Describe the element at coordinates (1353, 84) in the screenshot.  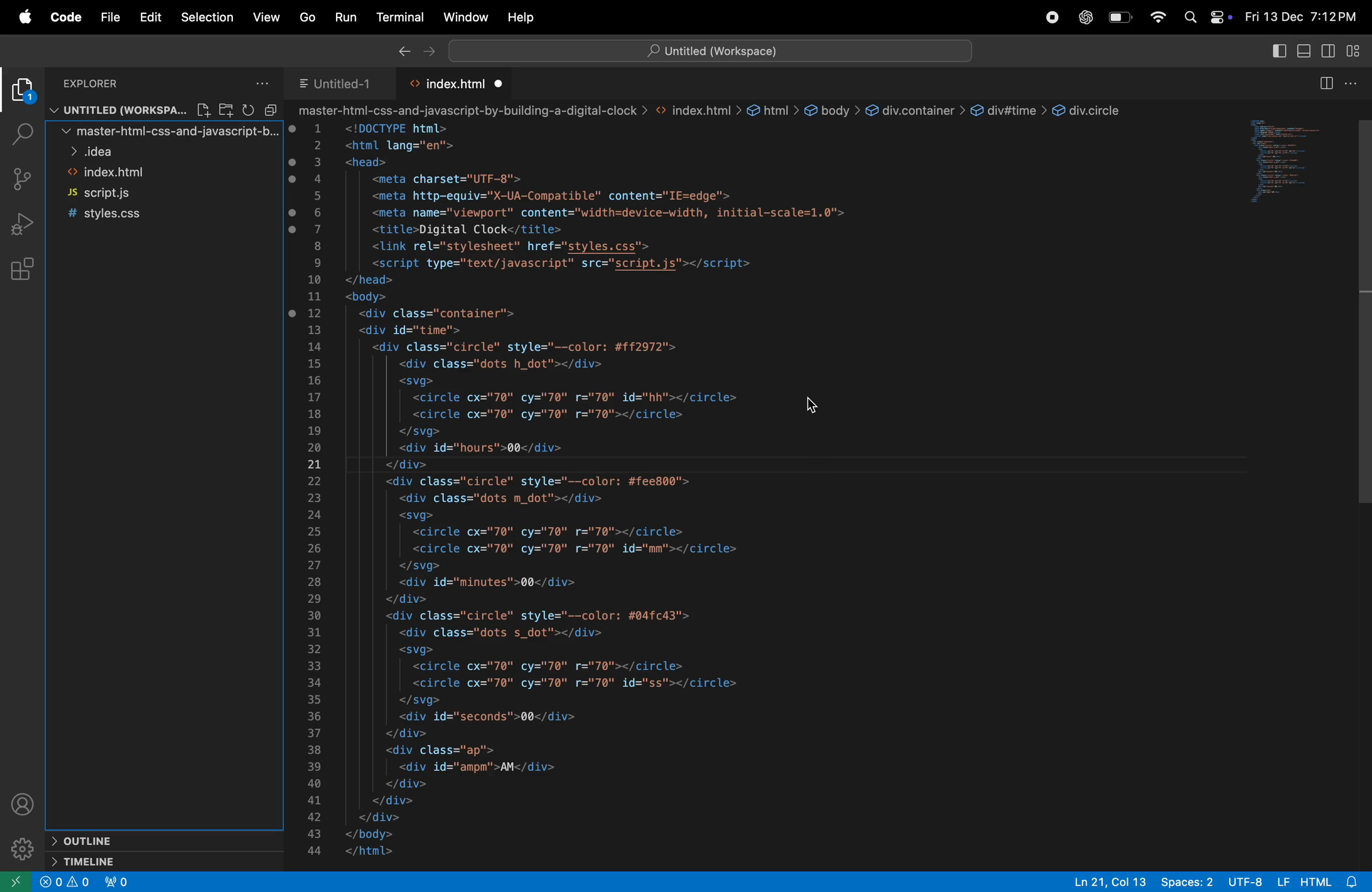
I see `options` at that location.